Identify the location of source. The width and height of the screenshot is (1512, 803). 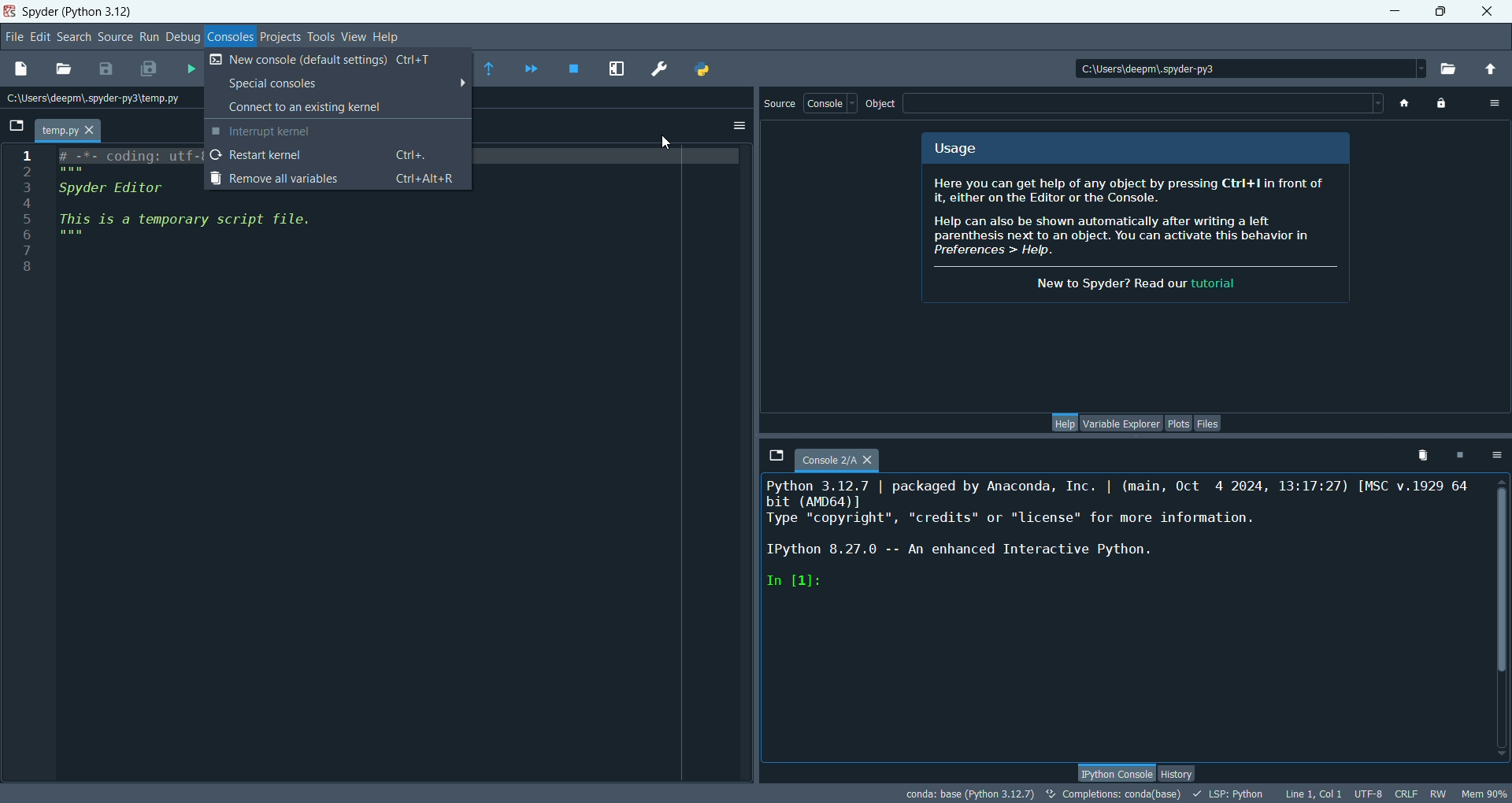
(778, 104).